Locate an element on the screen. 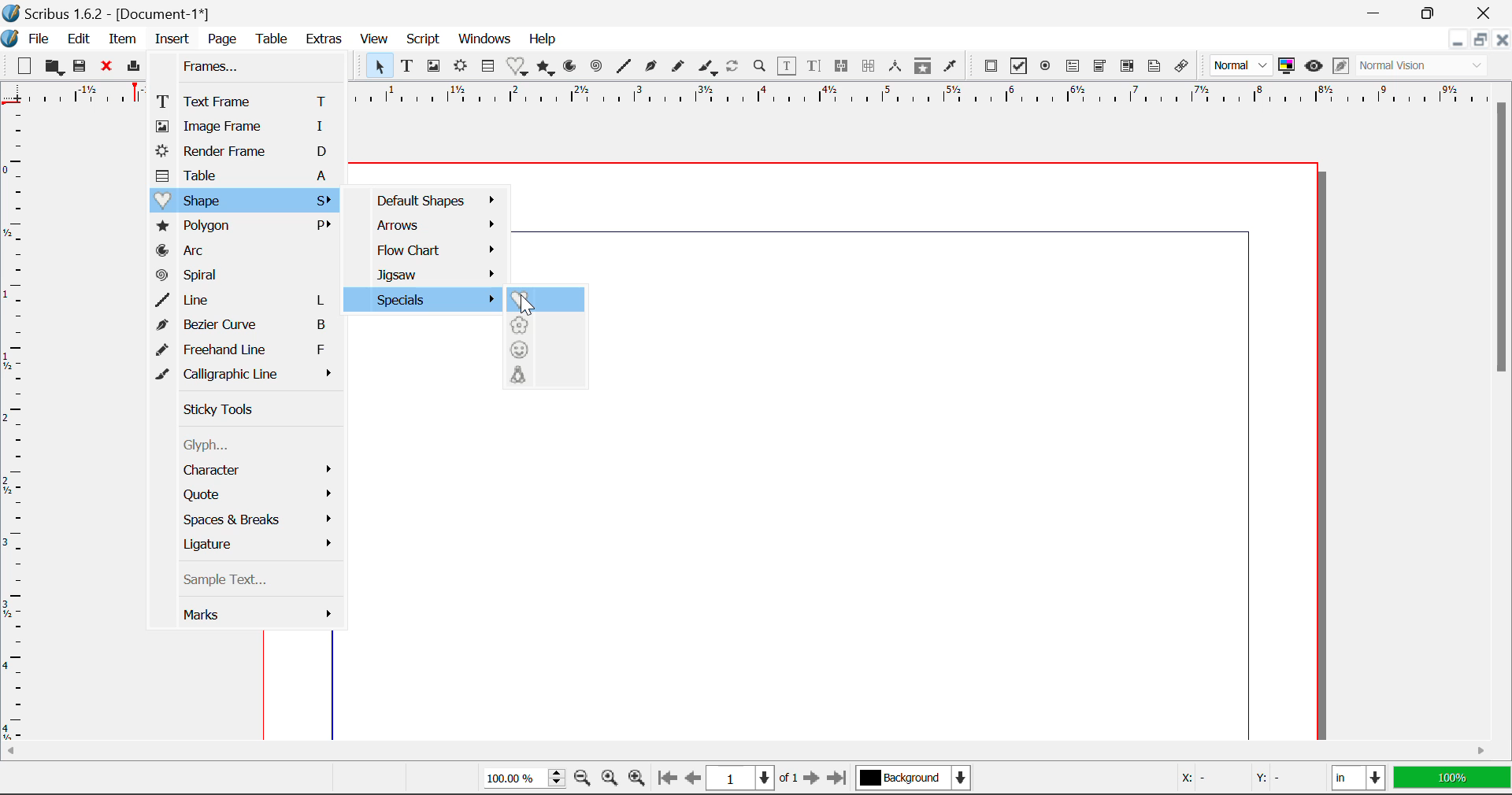  Ligiature is located at coordinates (251, 545).